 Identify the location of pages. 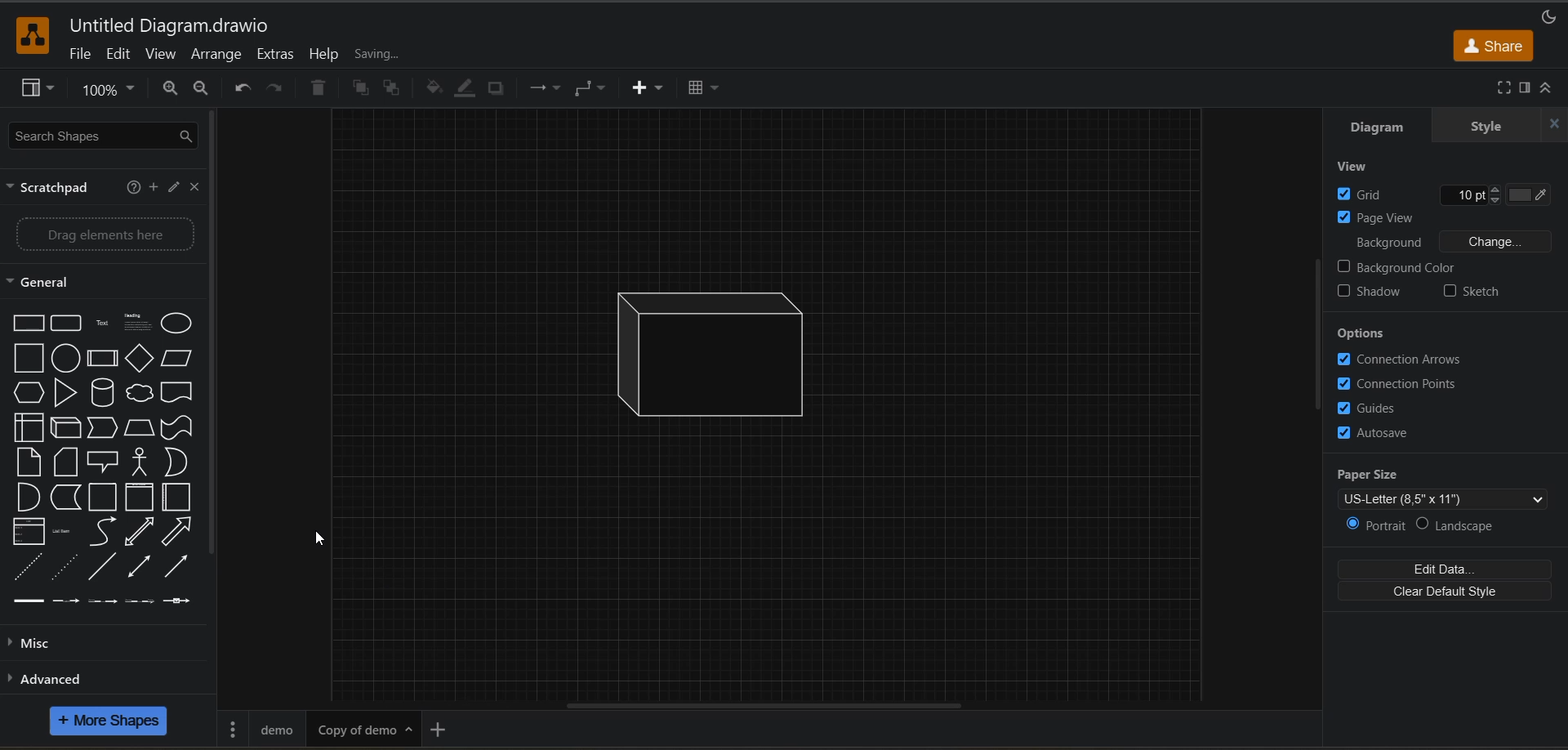
(233, 728).